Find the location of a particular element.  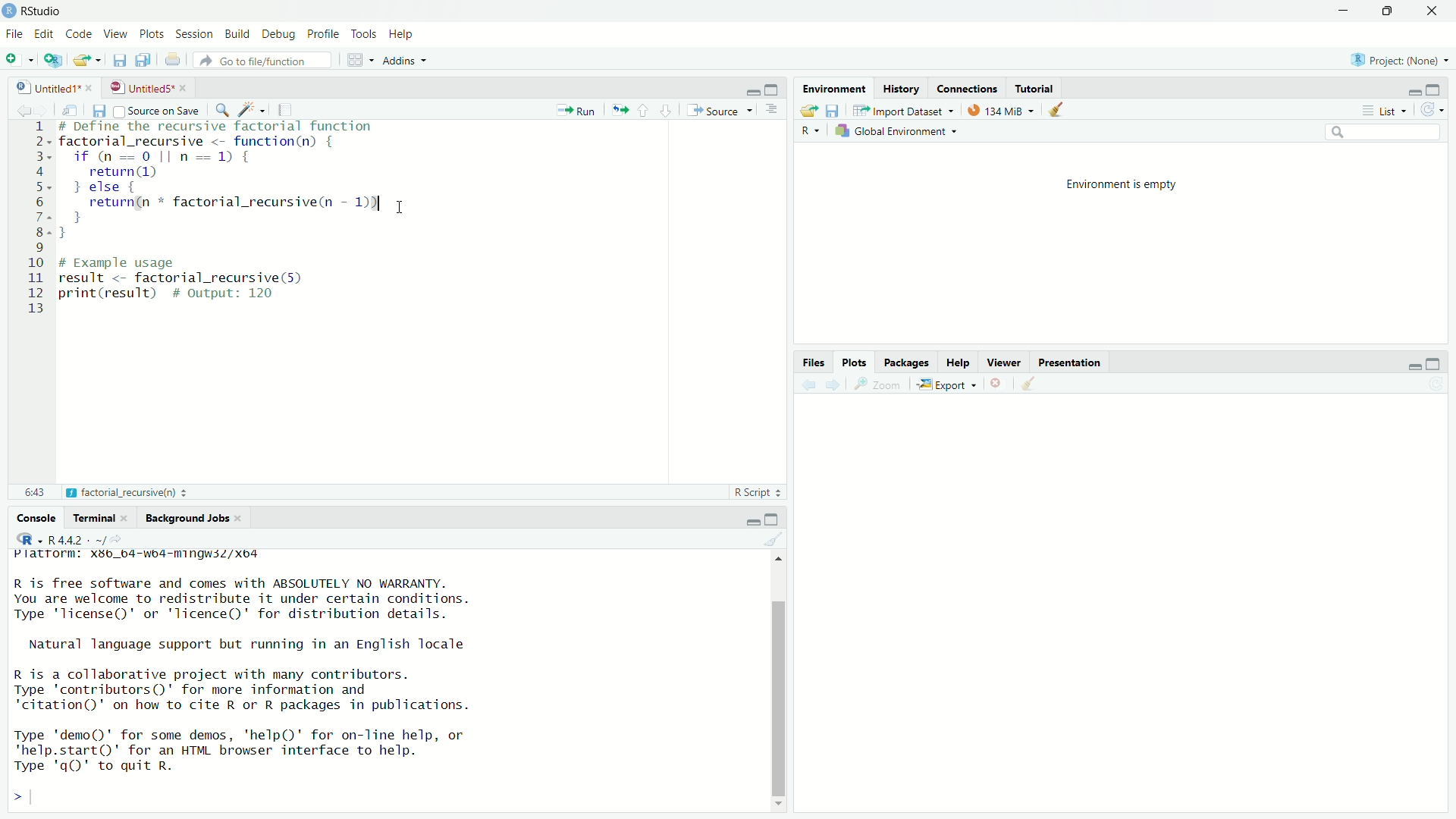

Open an existing file (Ctrl + O) is located at coordinates (87, 62).